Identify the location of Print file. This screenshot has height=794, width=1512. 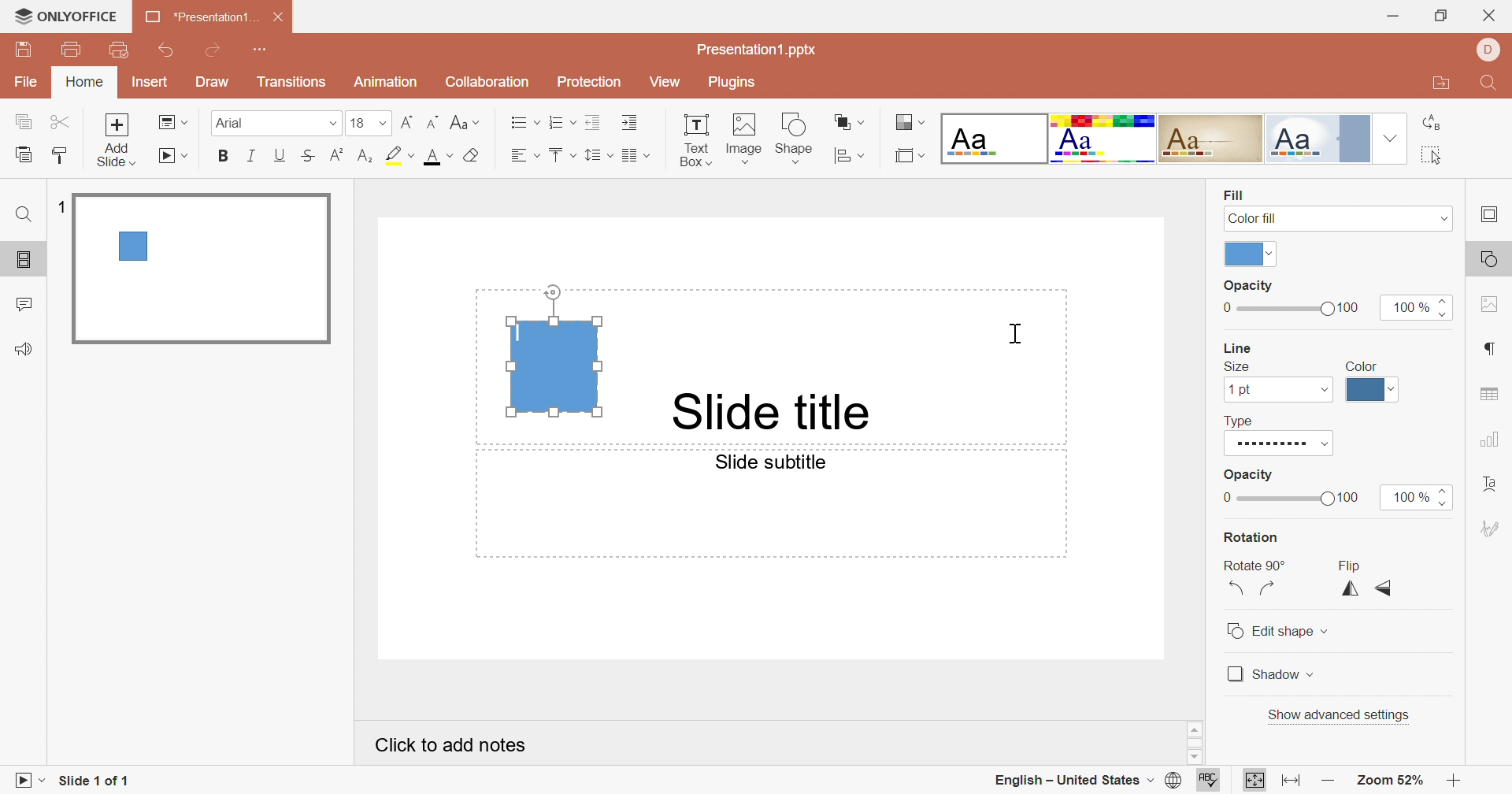
(69, 52).